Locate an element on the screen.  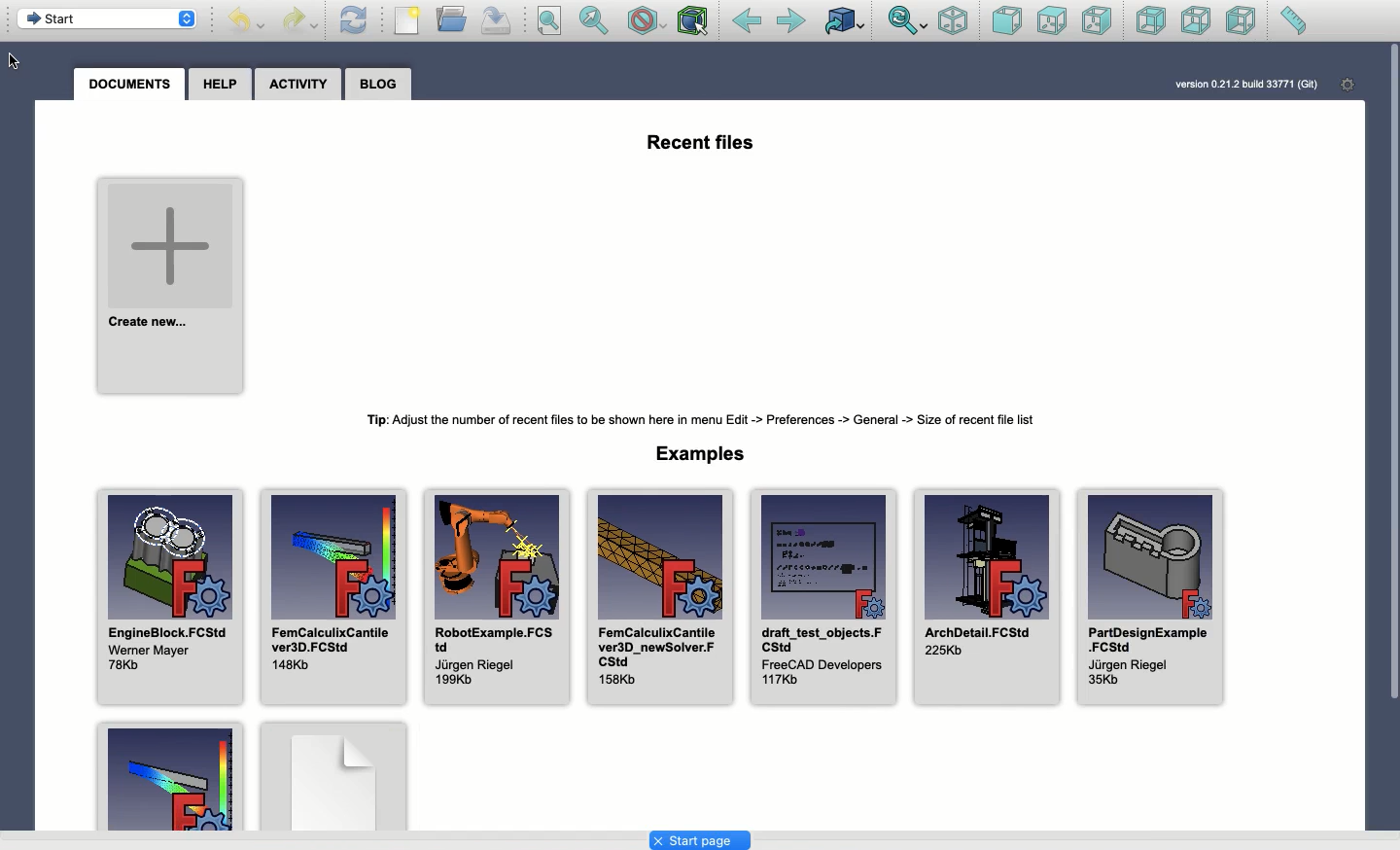
Documents is located at coordinates (127, 84).